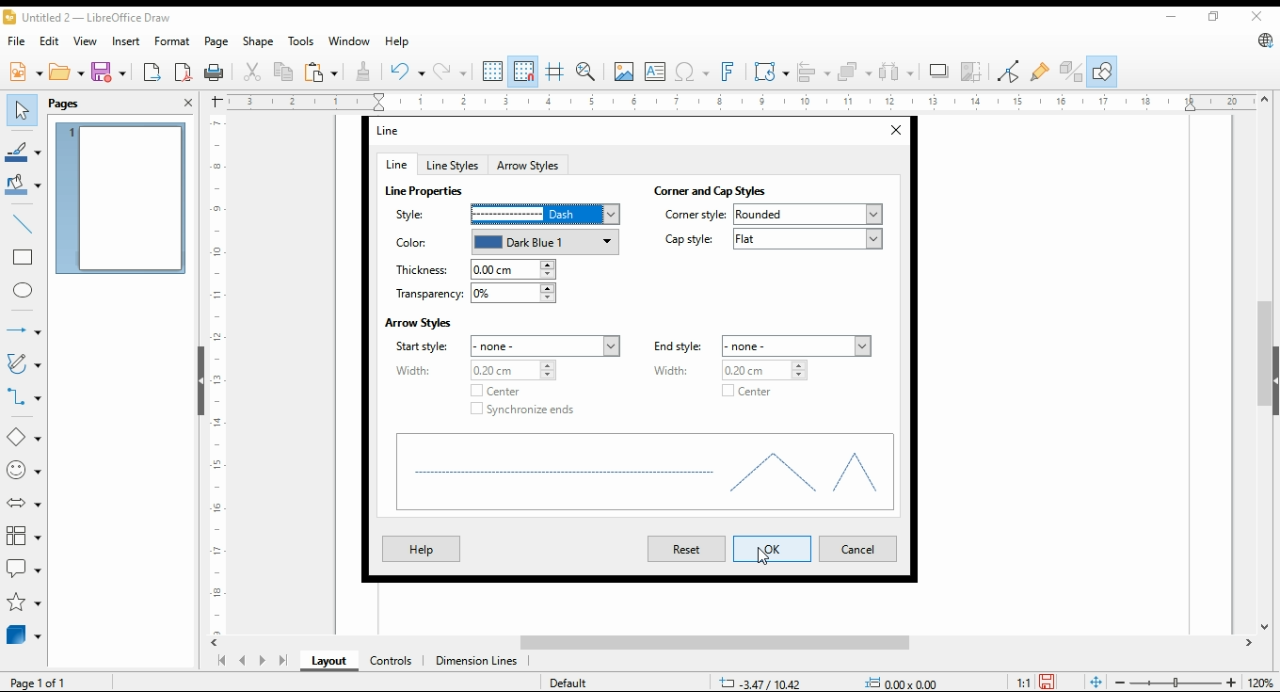 The height and width of the screenshot is (692, 1280). Describe the element at coordinates (768, 556) in the screenshot. I see `mouse pointer` at that location.